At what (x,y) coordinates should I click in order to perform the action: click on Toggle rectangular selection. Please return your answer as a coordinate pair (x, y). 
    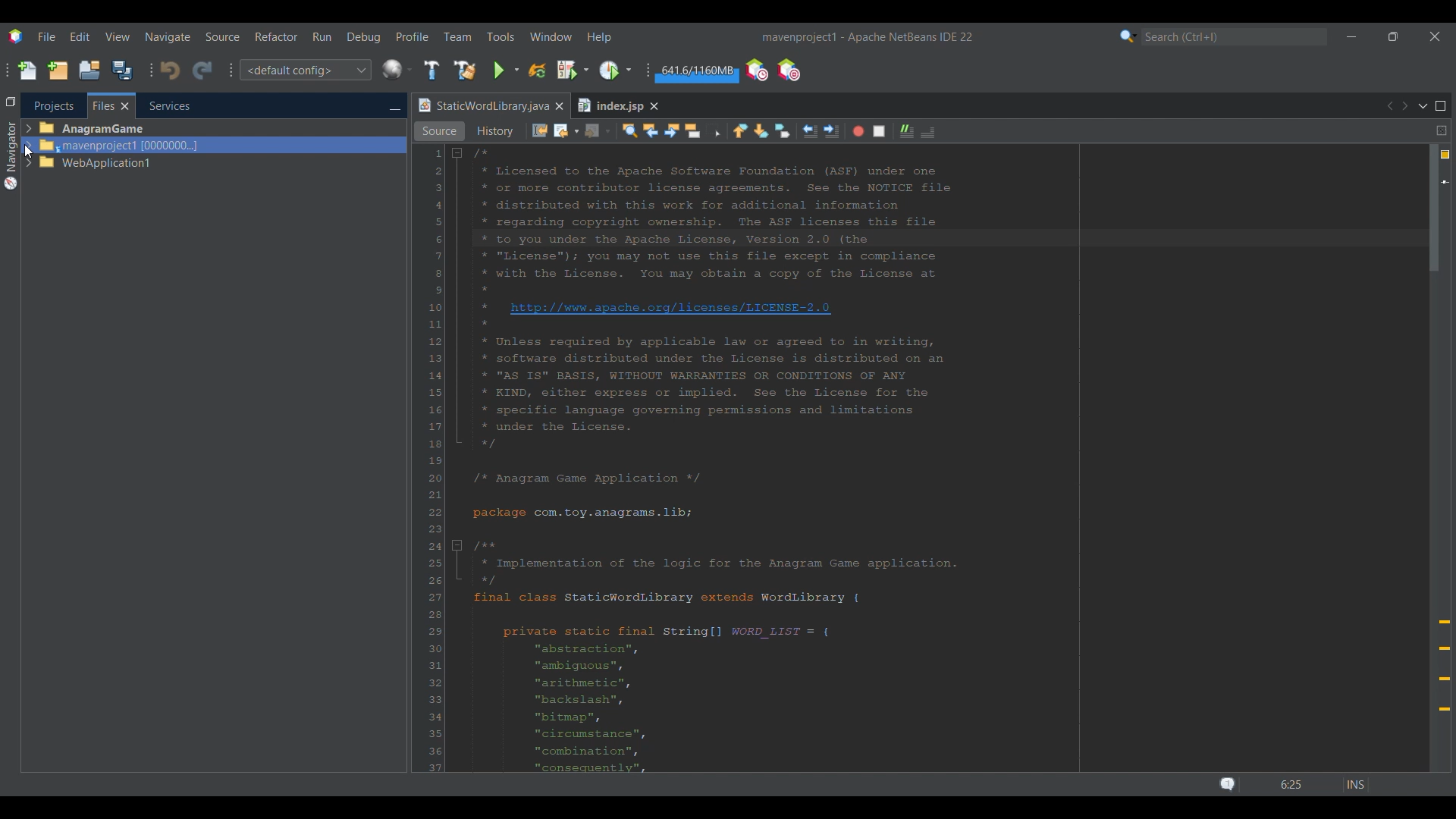
    Looking at the image, I should click on (713, 130).